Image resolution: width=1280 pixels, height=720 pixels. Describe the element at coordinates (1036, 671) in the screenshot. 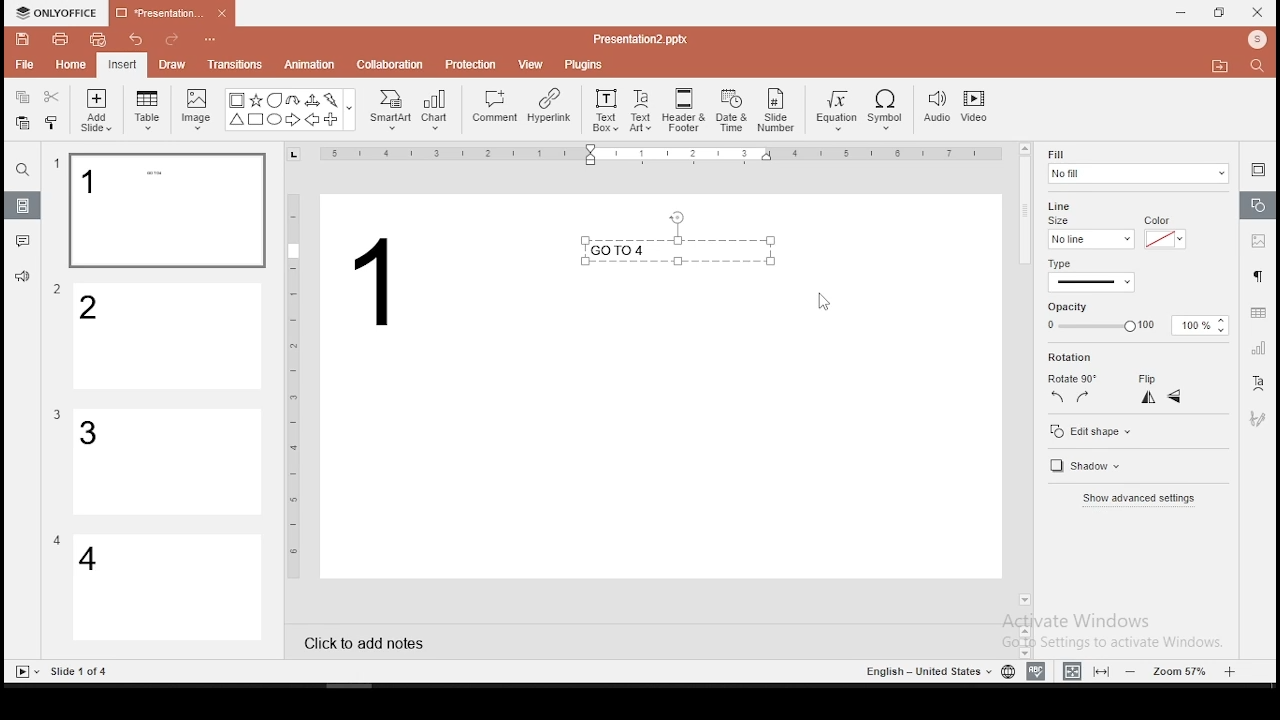

I see `spell check` at that location.